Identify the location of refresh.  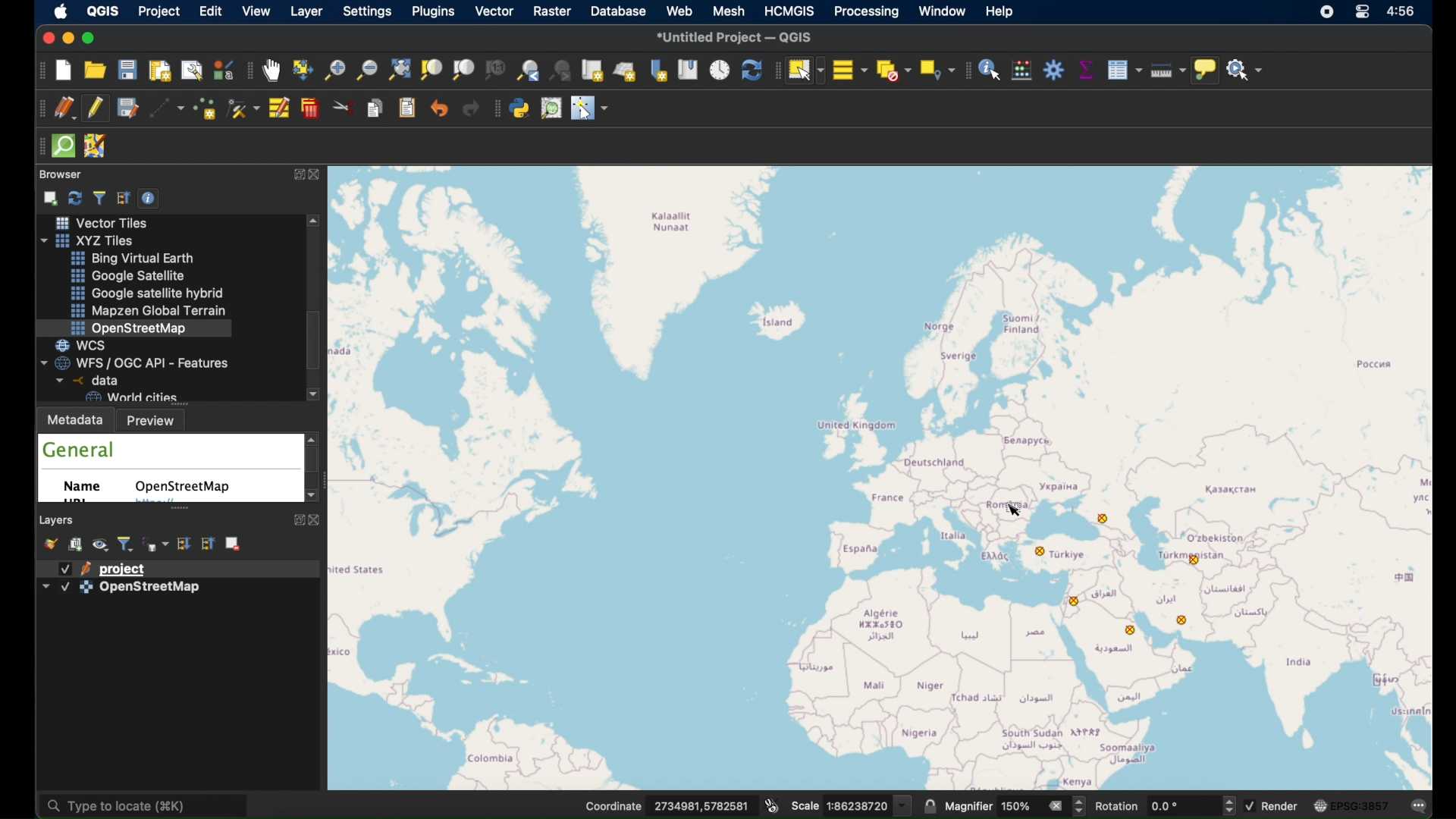
(74, 196).